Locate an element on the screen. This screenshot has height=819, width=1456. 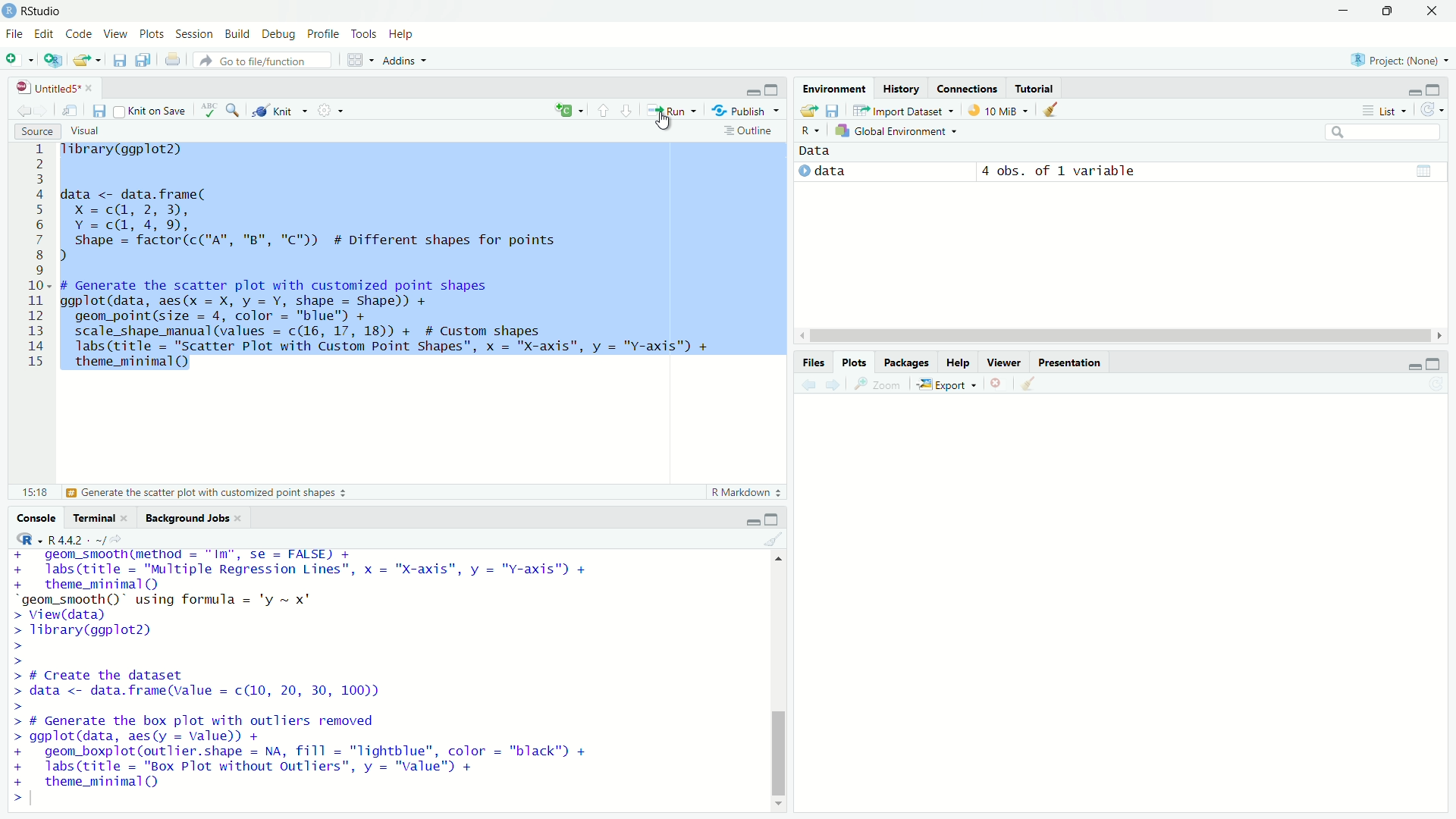
search bar is located at coordinates (1384, 133).